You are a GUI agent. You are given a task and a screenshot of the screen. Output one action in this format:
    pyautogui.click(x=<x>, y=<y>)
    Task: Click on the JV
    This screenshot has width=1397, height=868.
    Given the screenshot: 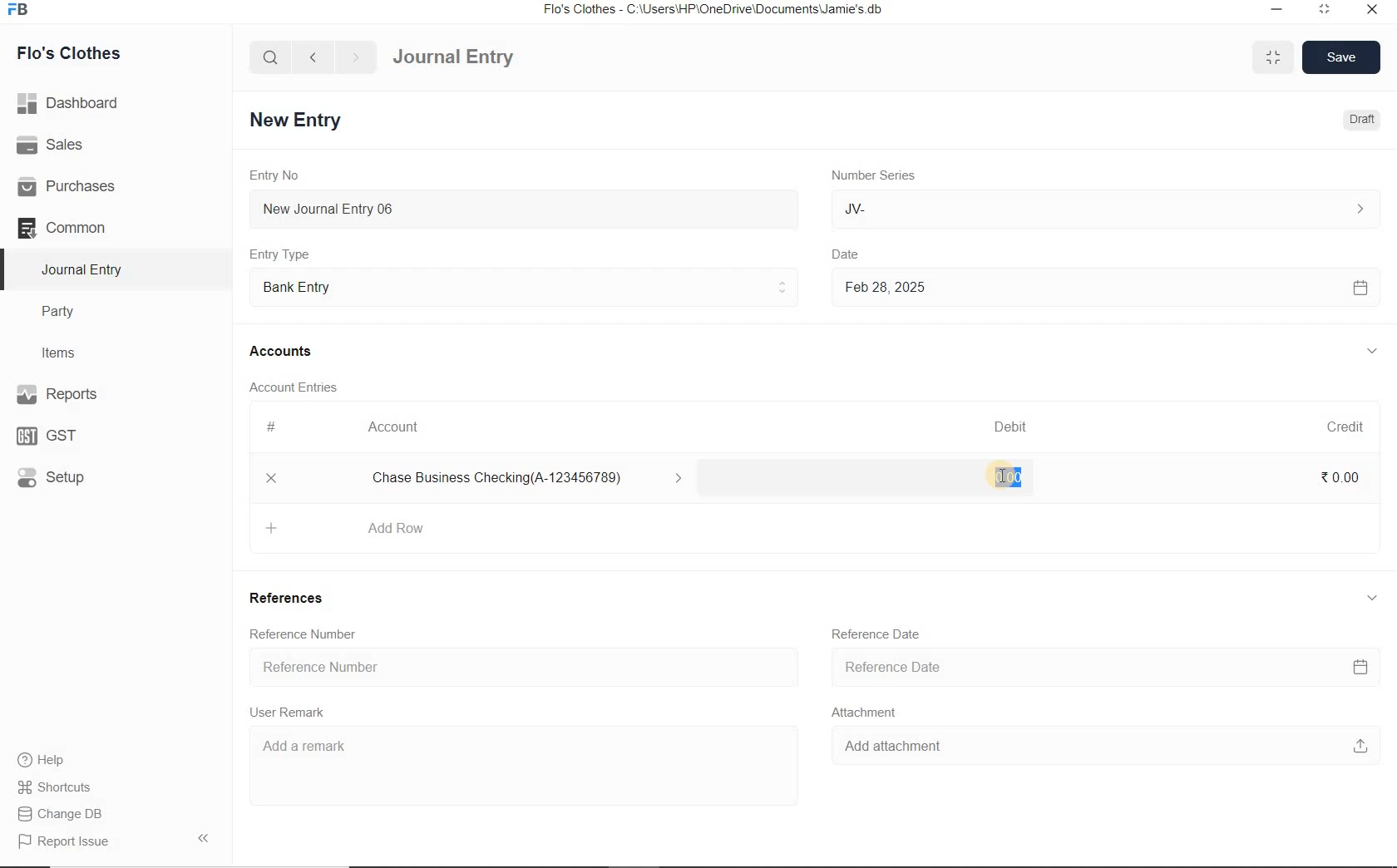 What is the action you would take?
    pyautogui.click(x=1102, y=209)
    